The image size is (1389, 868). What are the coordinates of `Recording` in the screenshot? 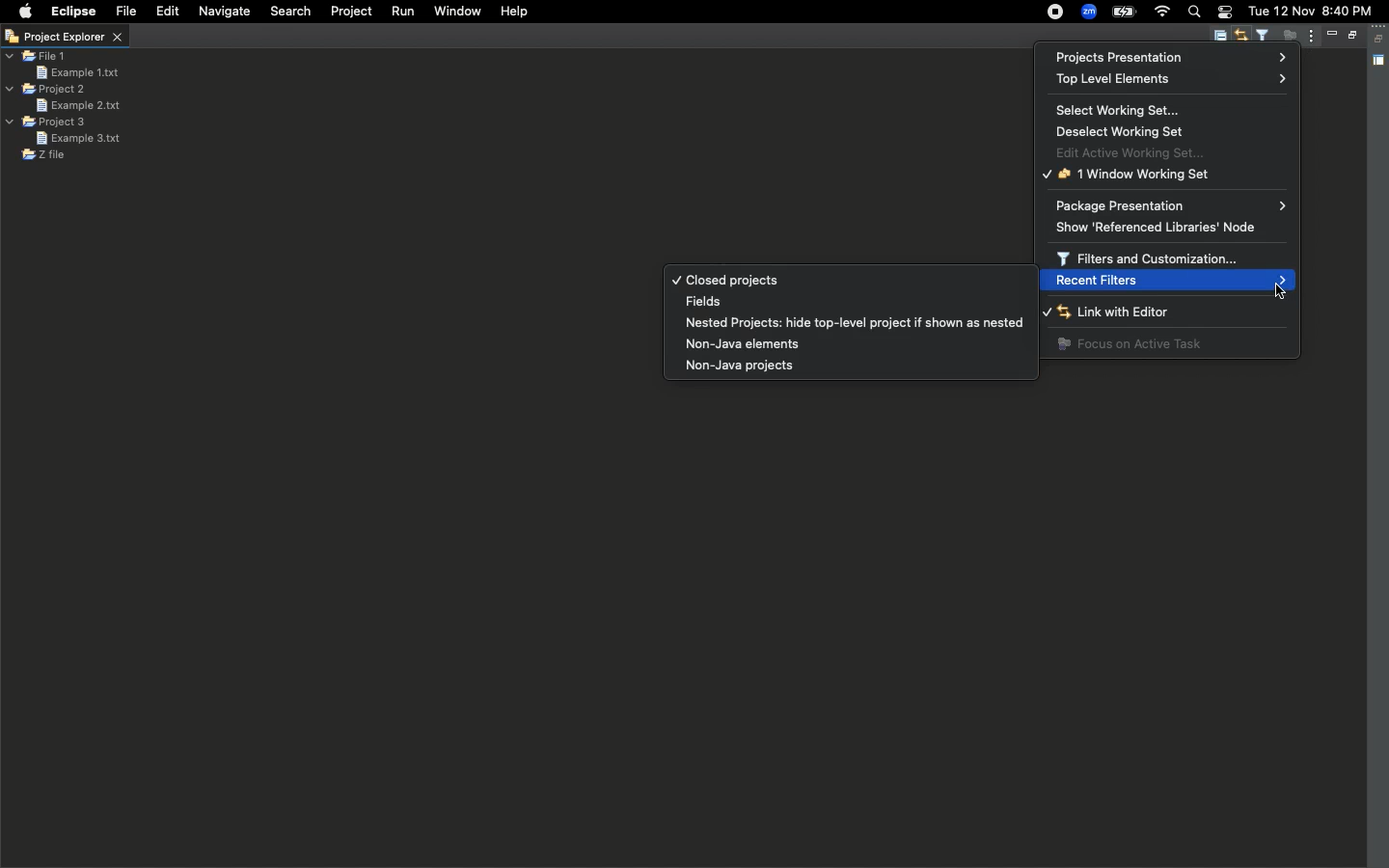 It's located at (1056, 13).